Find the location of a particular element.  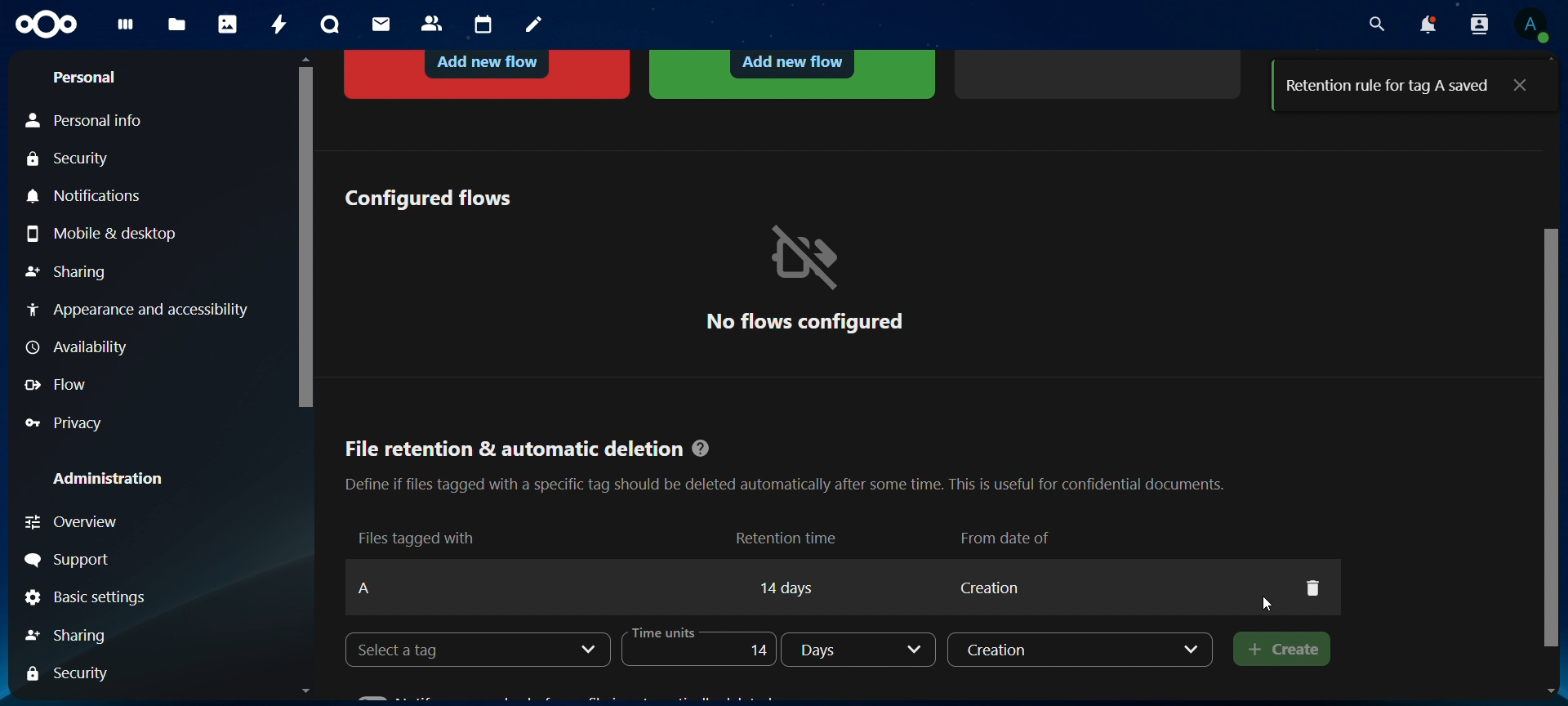

contacts is located at coordinates (433, 25).